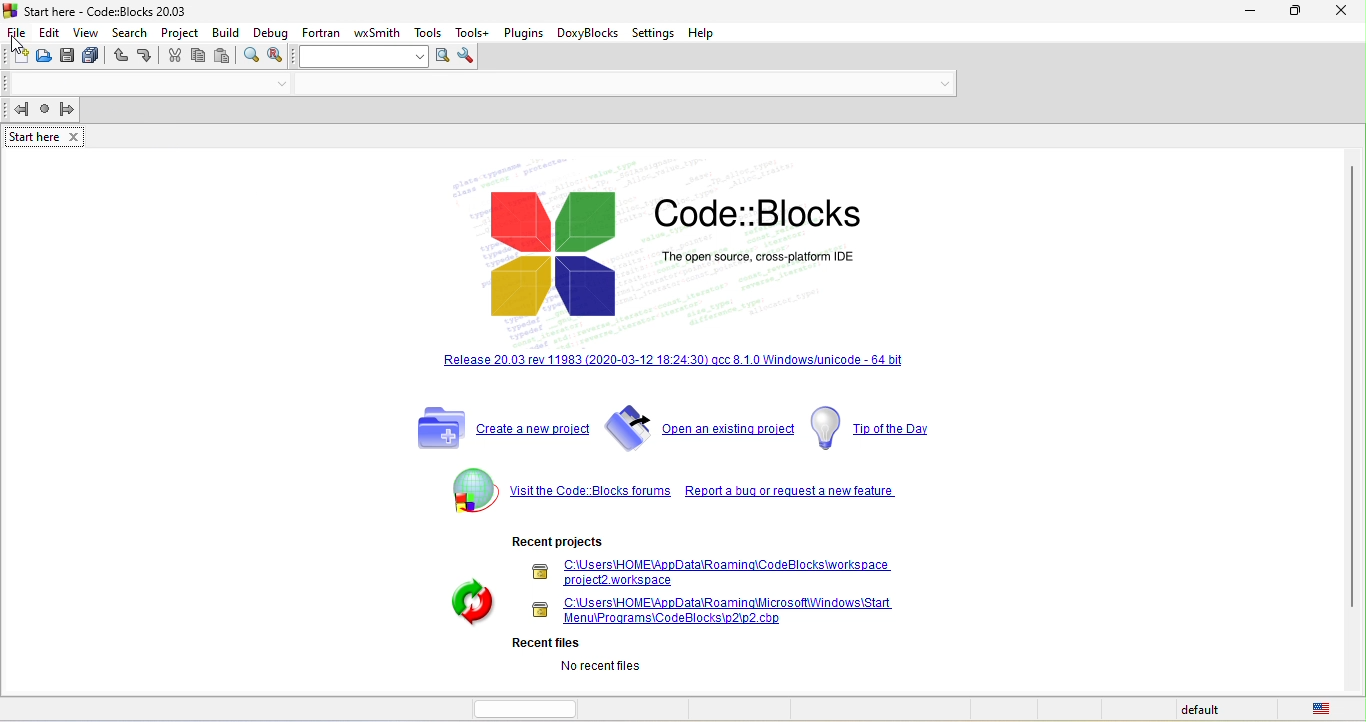 Image resolution: width=1366 pixels, height=722 pixels. What do you see at coordinates (667, 269) in the screenshot?
I see `The open source, cross-platform IDE Release 20.03 rev 11983 (2020-03-12 18:24:30) gcc 8.1.0 Windows/unicode - 64 bit` at bounding box center [667, 269].